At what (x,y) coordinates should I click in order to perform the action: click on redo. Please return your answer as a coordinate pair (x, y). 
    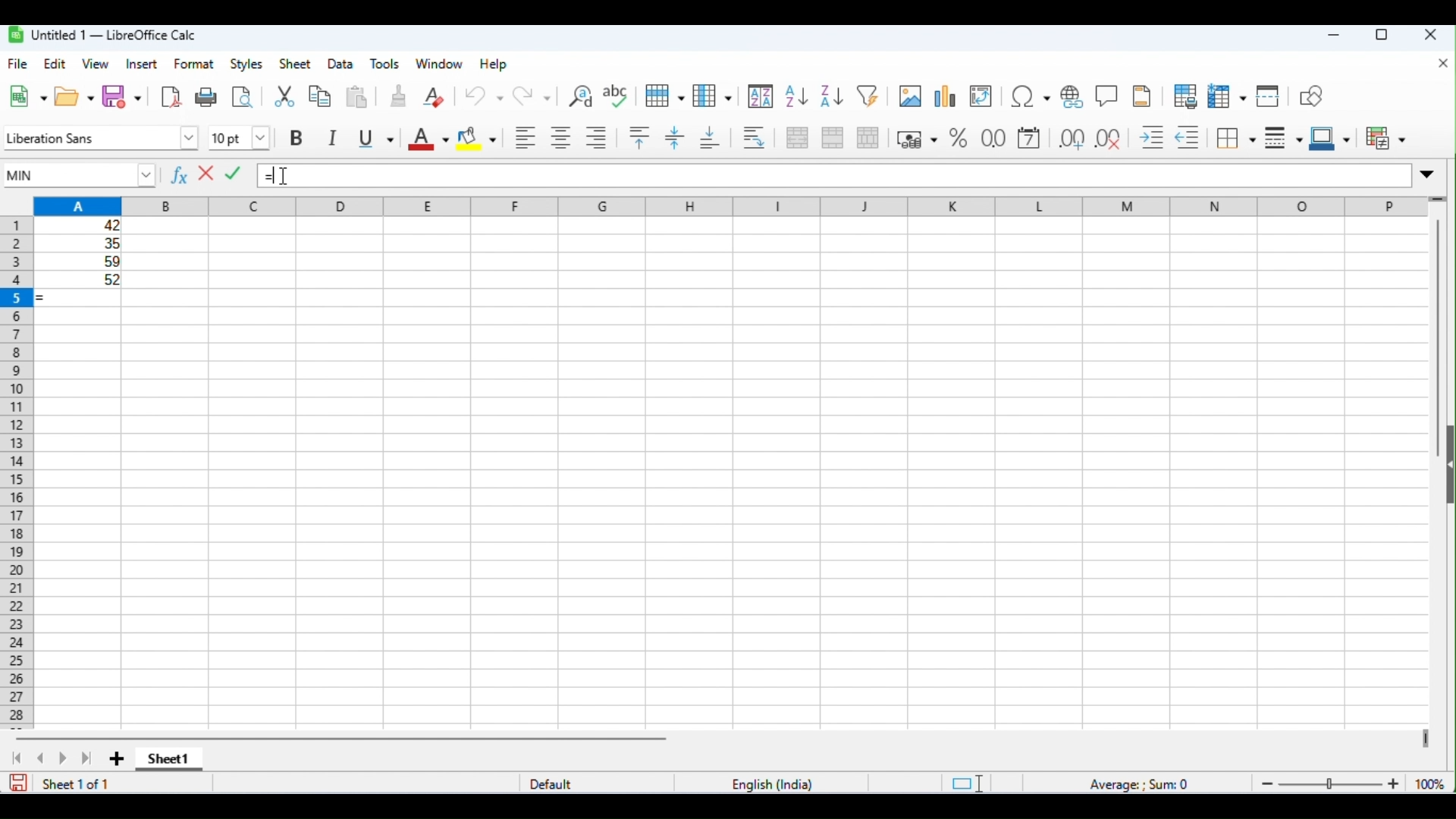
    Looking at the image, I should click on (532, 96).